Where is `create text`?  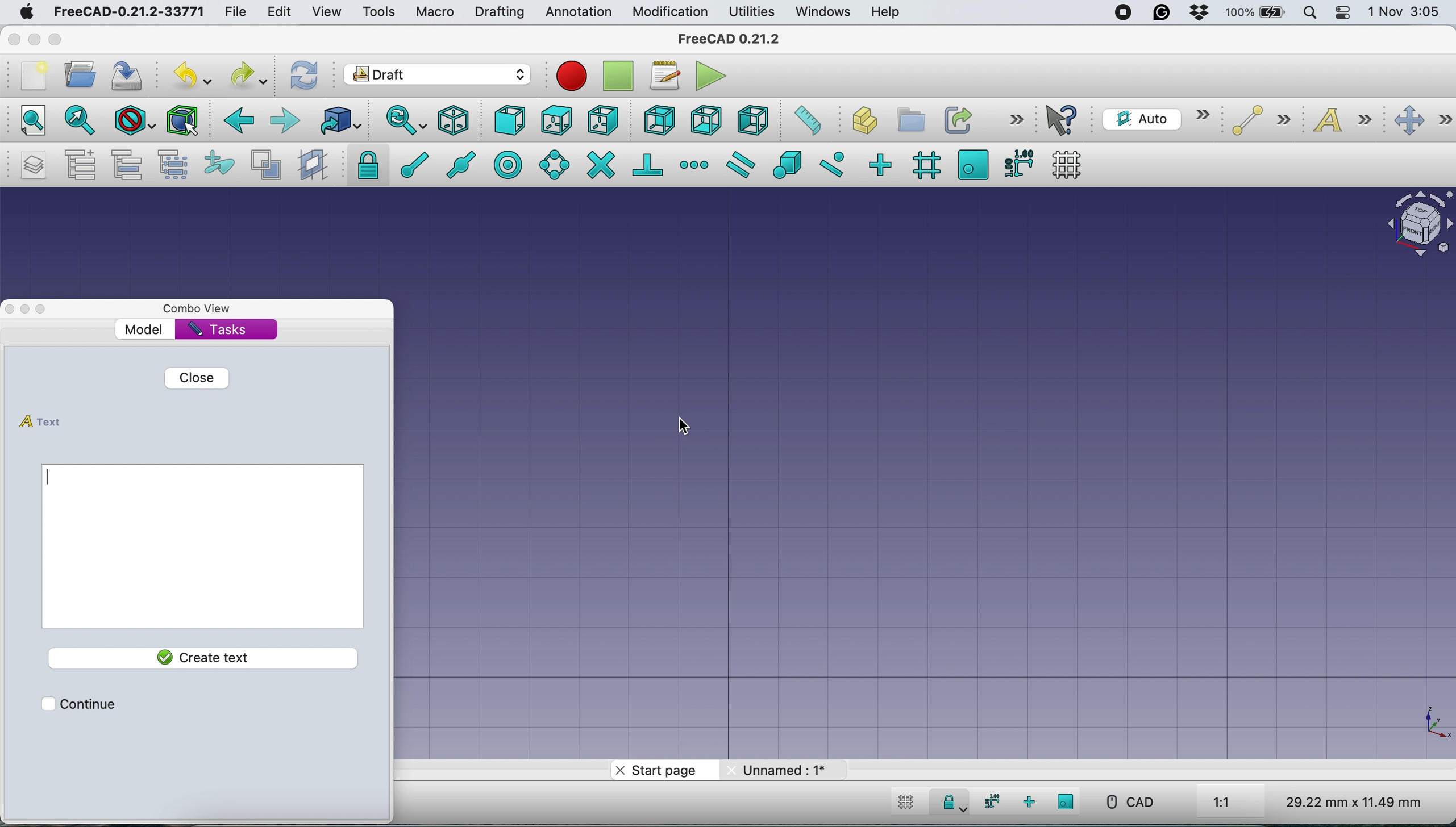 create text is located at coordinates (207, 657).